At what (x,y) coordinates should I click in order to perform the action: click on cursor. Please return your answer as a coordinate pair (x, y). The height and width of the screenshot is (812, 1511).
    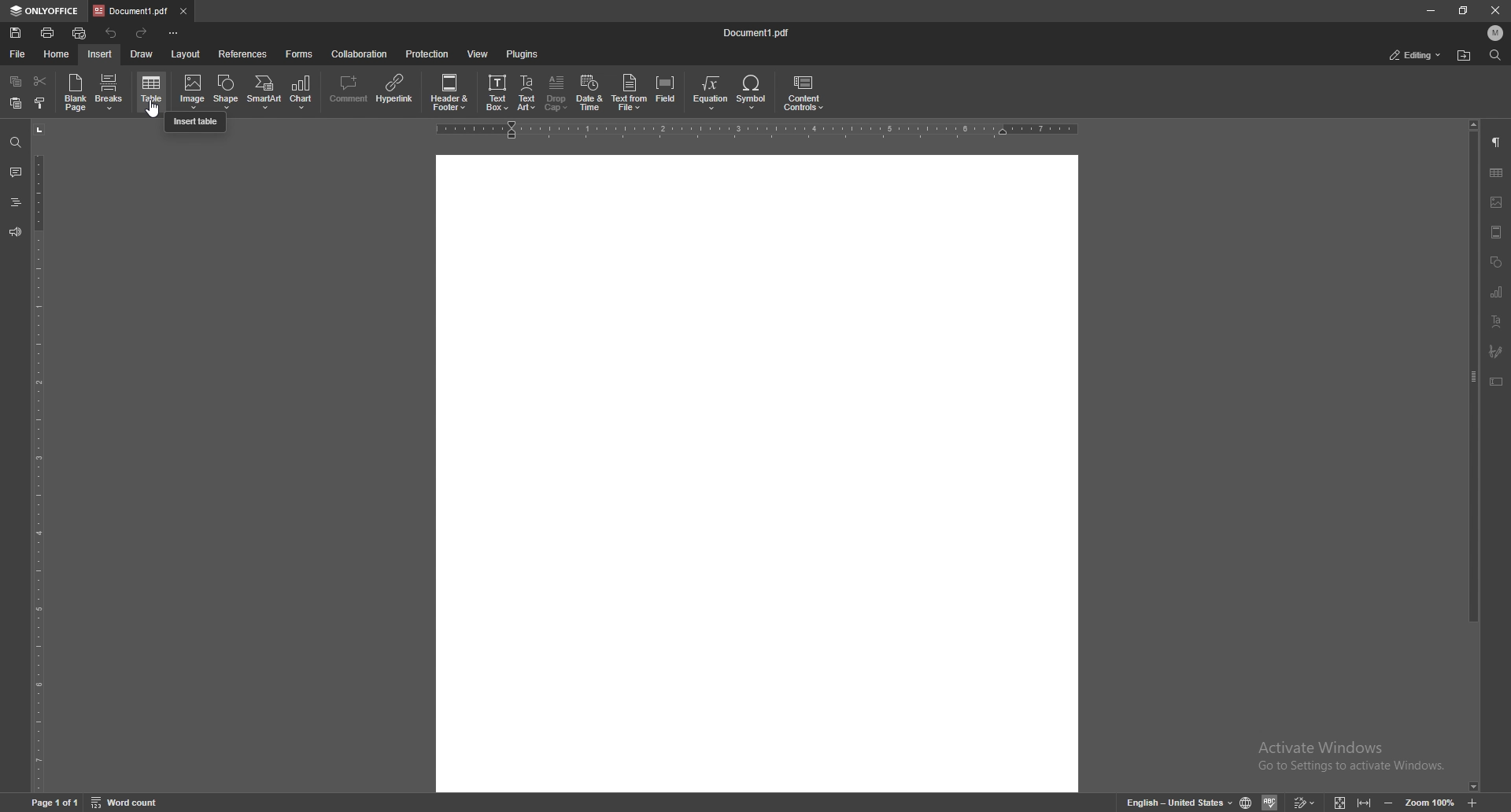
    Looking at the image, I should click on (153, 109).